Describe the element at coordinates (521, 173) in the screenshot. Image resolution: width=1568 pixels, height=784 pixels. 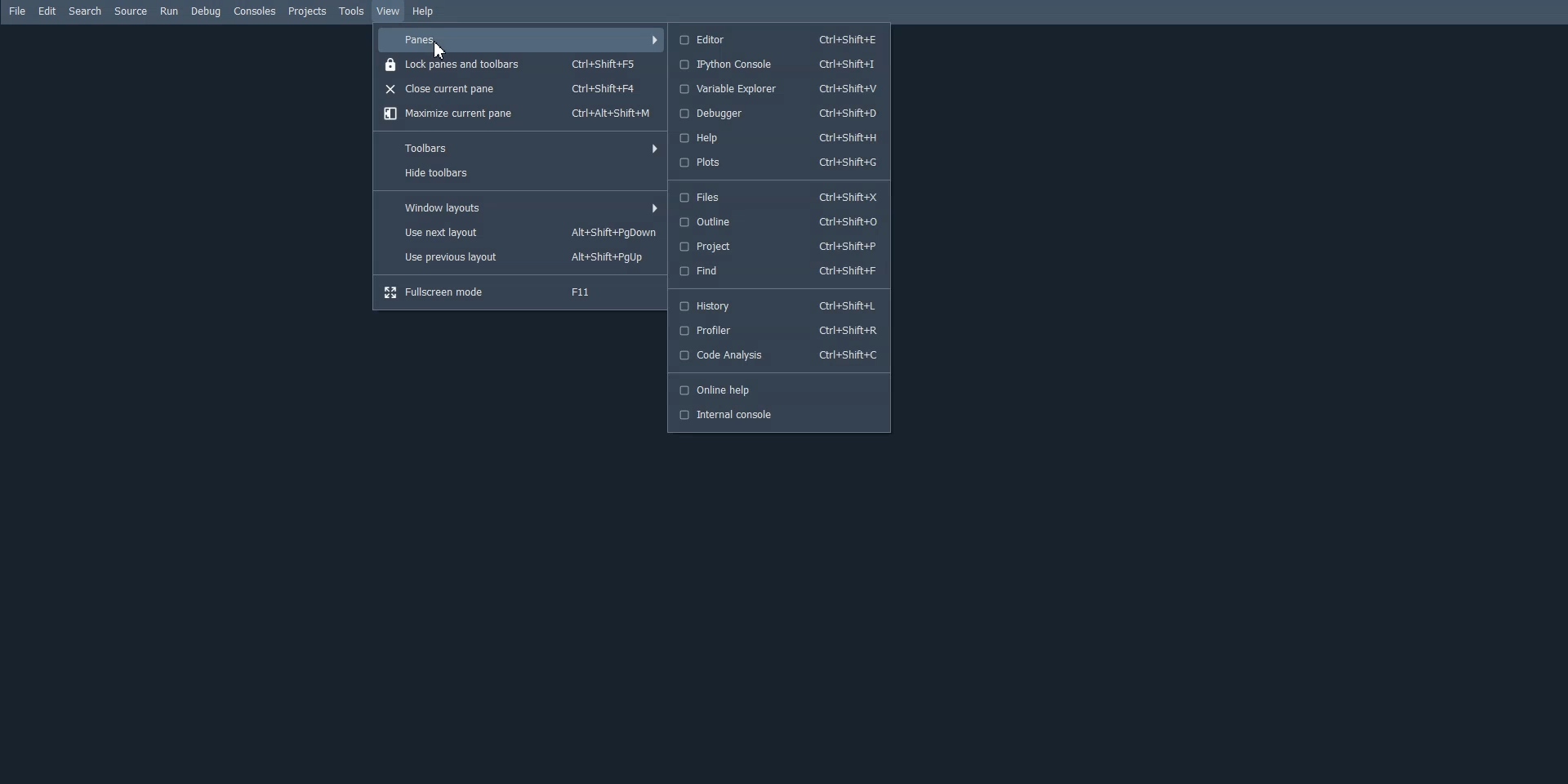
I see `Hide toolbars` at that location.